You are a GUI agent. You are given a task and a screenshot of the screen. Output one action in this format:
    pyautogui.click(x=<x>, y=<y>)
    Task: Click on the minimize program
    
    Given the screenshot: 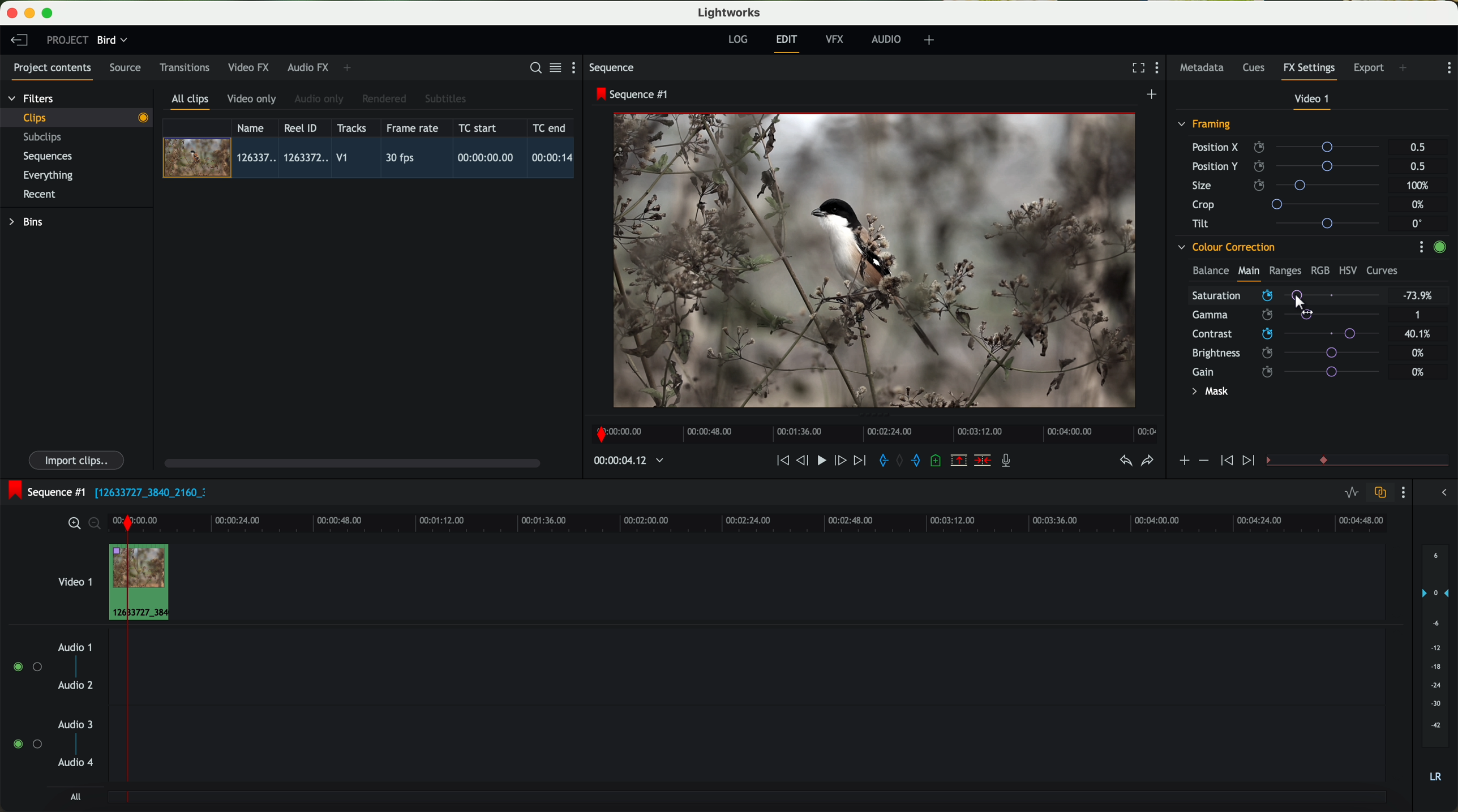 What is the action you would take?
    pyautogui.click(x=32, y=14)
    